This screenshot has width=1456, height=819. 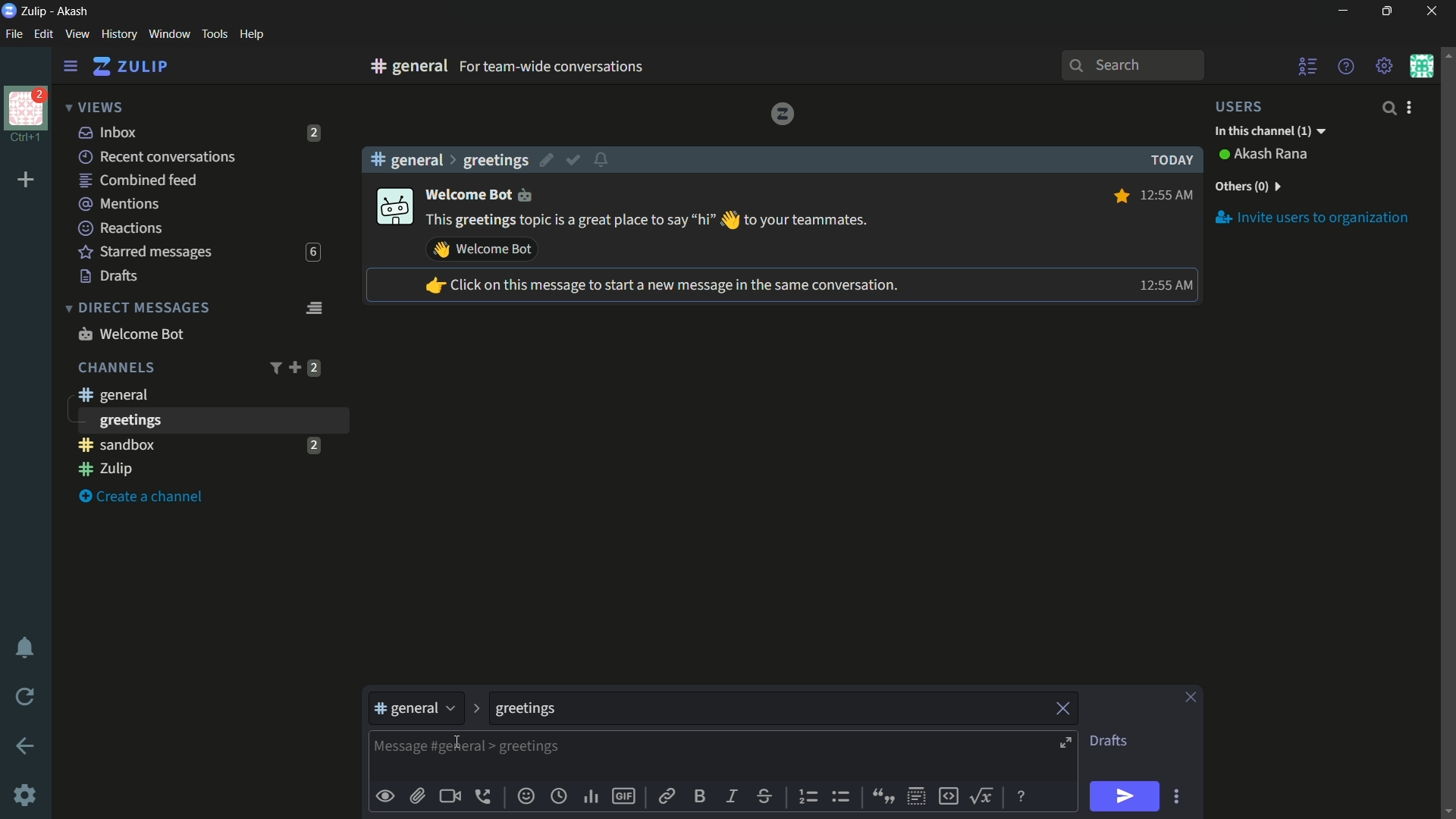 I want to click on welcome bot, so click(x=487, y=193).